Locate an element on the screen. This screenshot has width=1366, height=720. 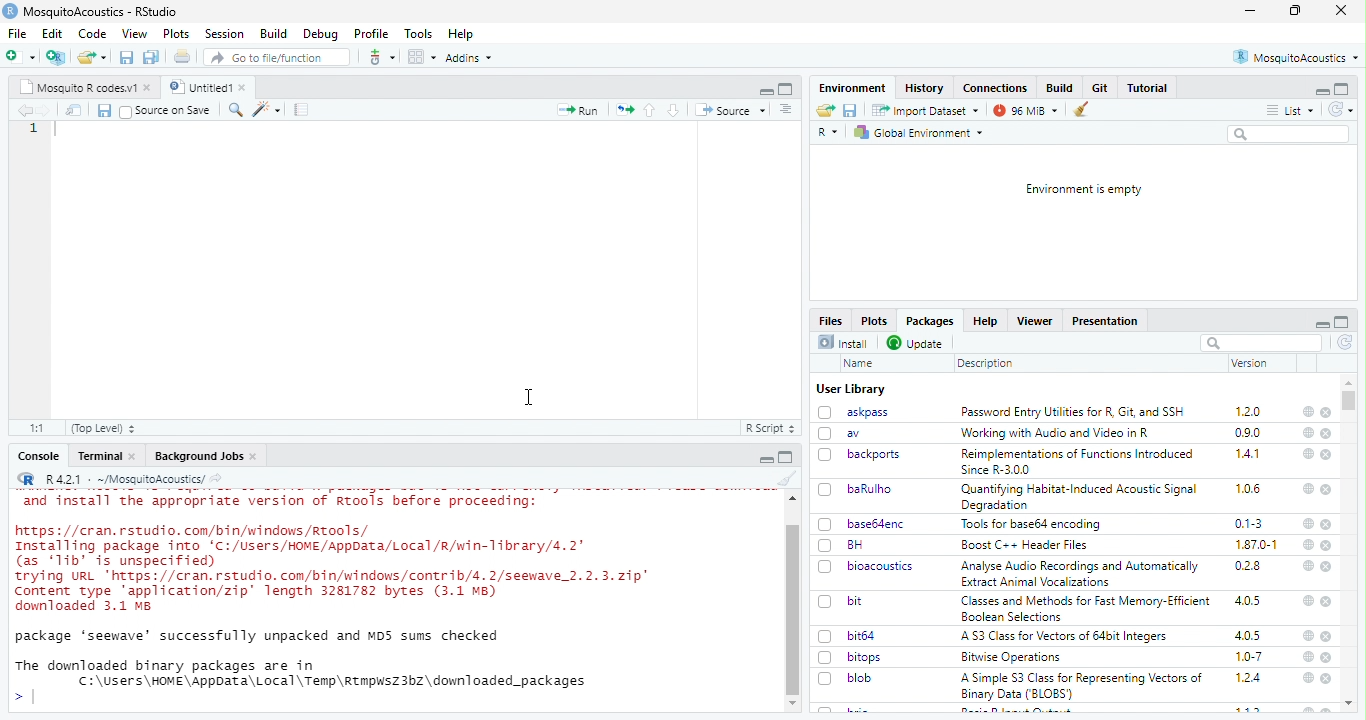
 is located at coordinates (1062, 87).